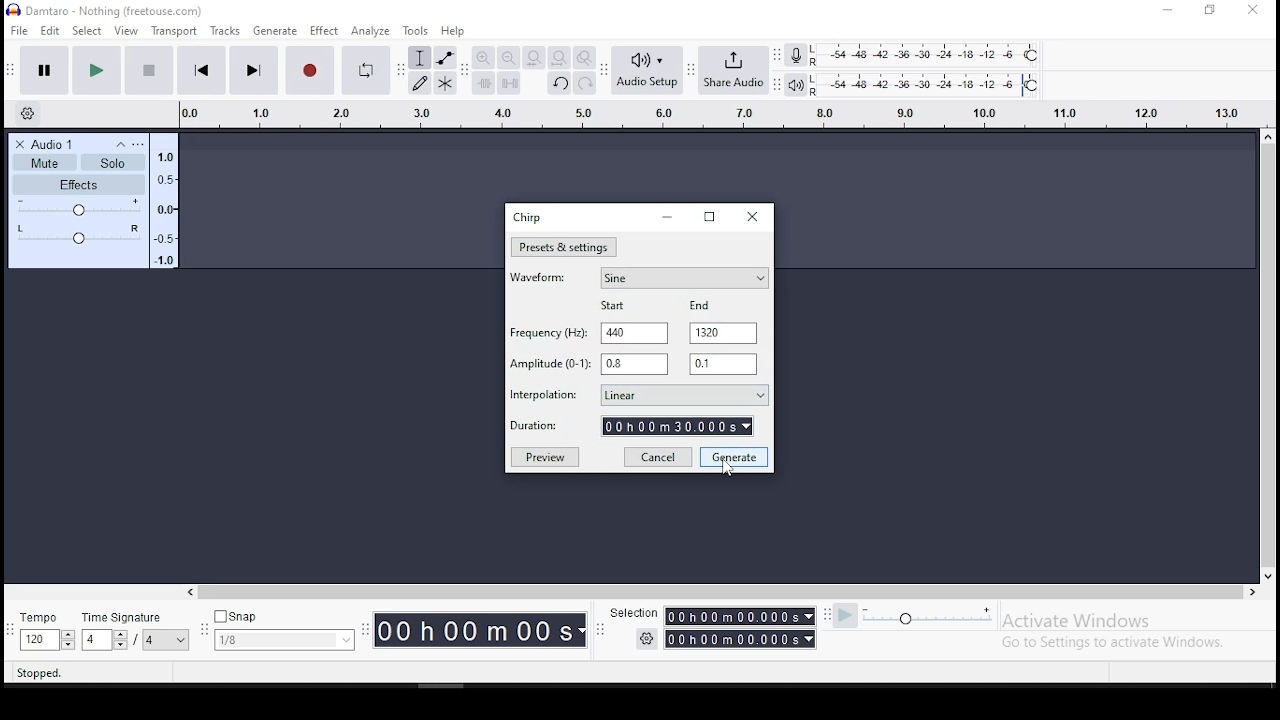 The width and height of the screenshot is (1280, 720). I want to click on , so click(549, 332).